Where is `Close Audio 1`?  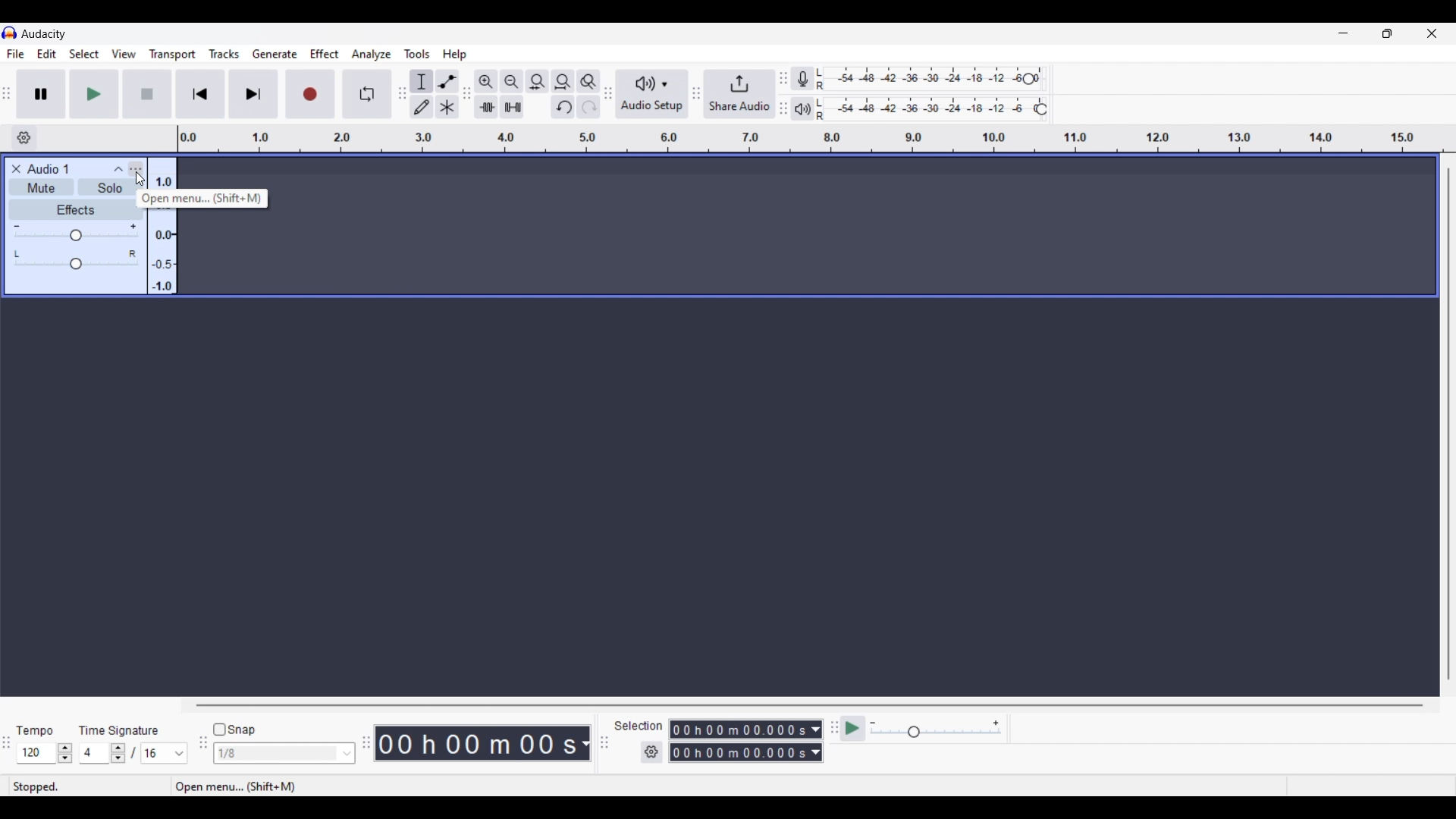 Close Audio 1 is located at coordinates (17, 169).